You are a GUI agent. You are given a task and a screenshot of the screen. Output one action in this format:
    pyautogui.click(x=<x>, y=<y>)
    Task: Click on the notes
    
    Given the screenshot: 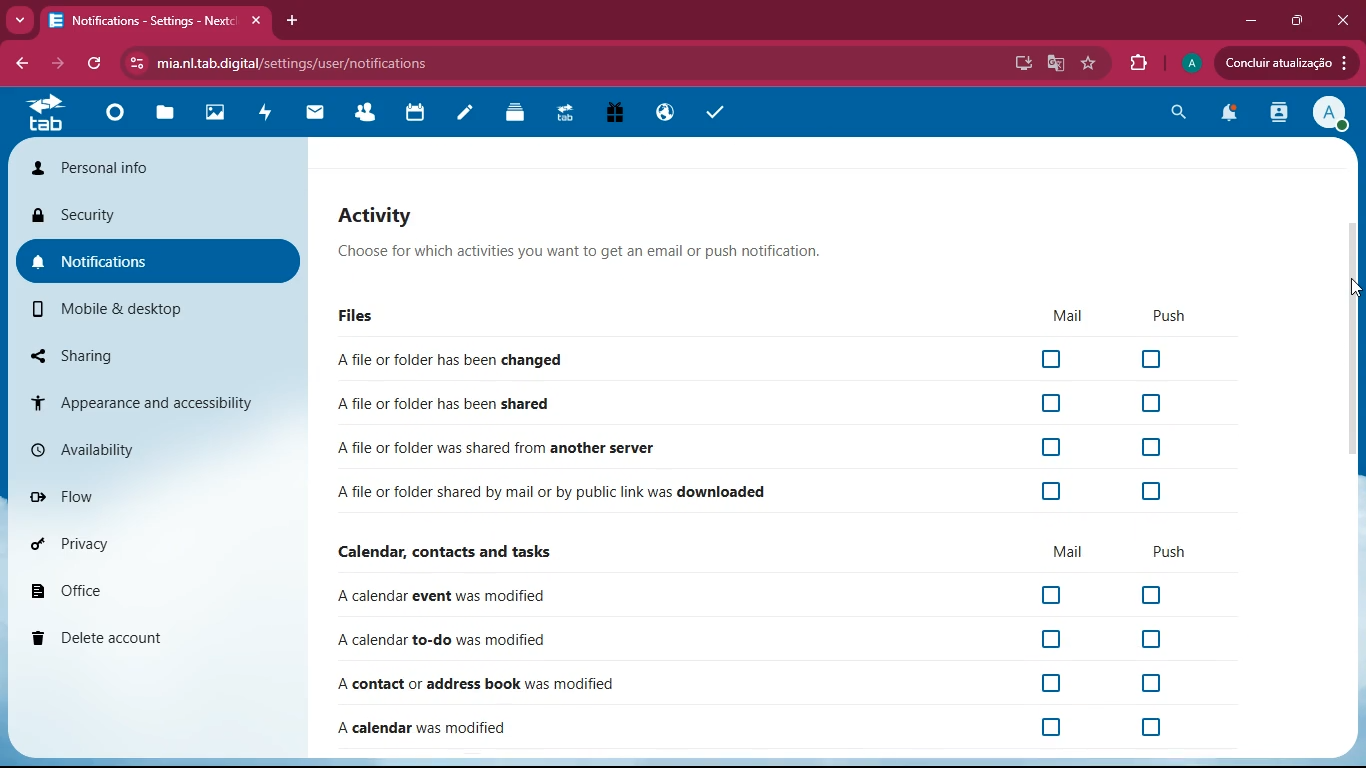 What is the action you would take?
    pyautogui.click(x=462, y=117)
    